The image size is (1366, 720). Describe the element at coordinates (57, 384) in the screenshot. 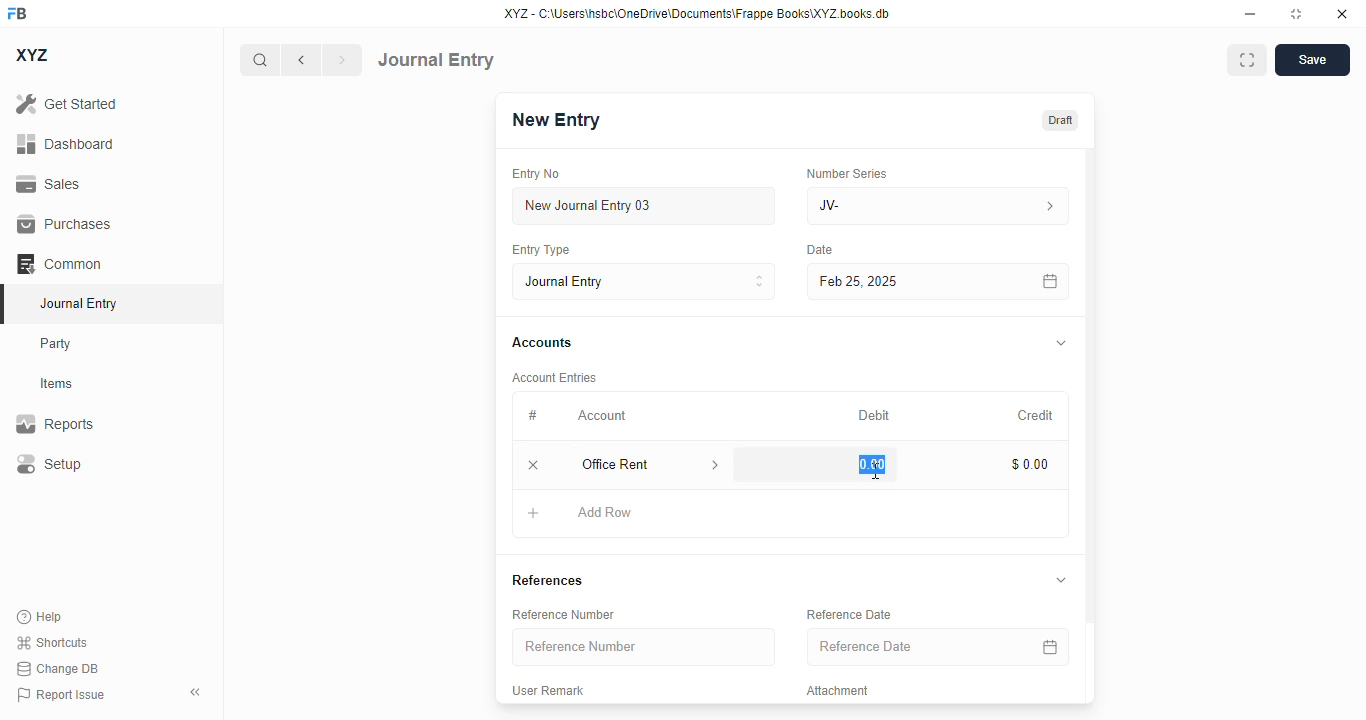

I see `items` at that location.